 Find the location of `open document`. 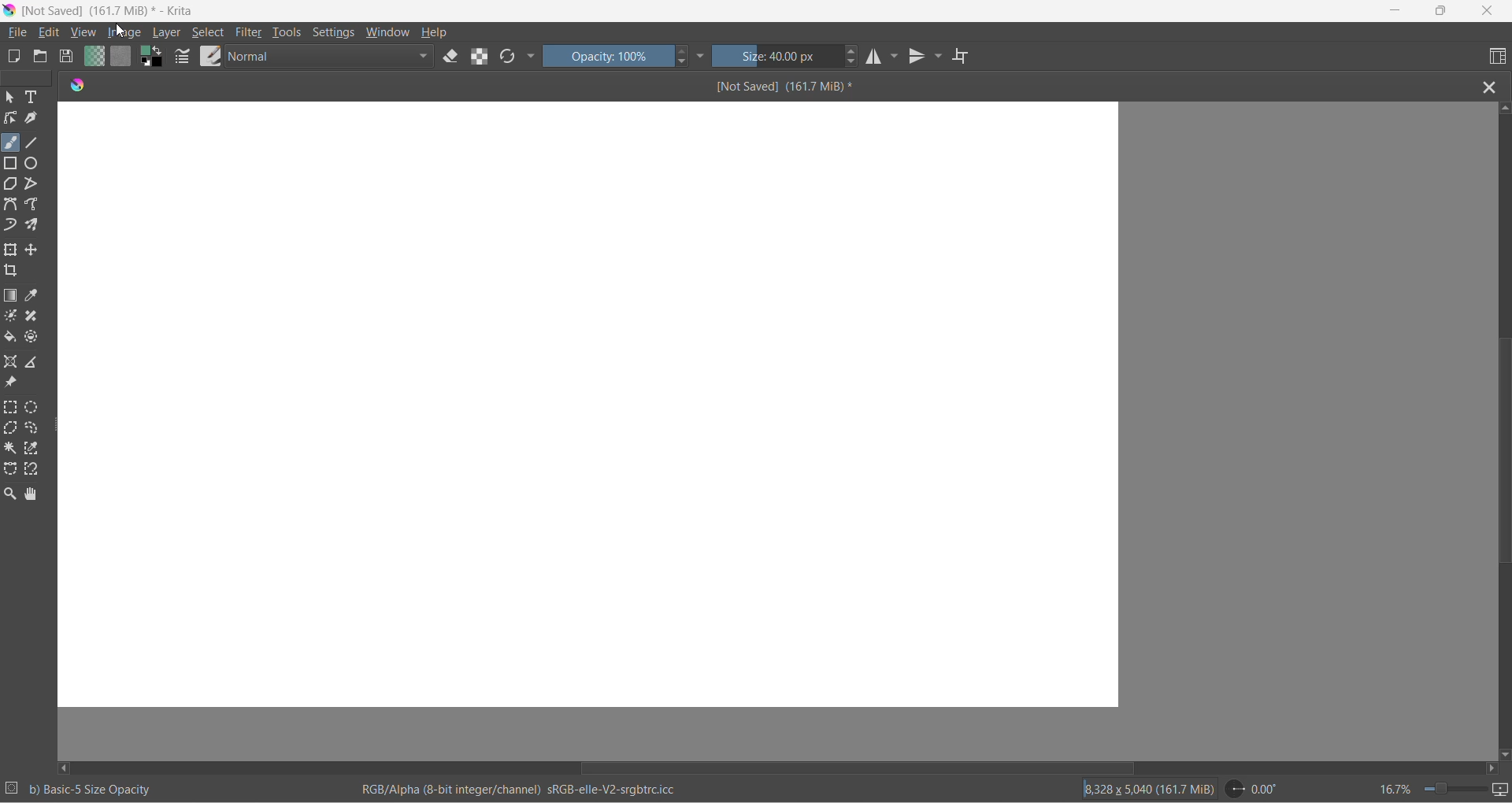

open document is located at coordinates (40, 57).